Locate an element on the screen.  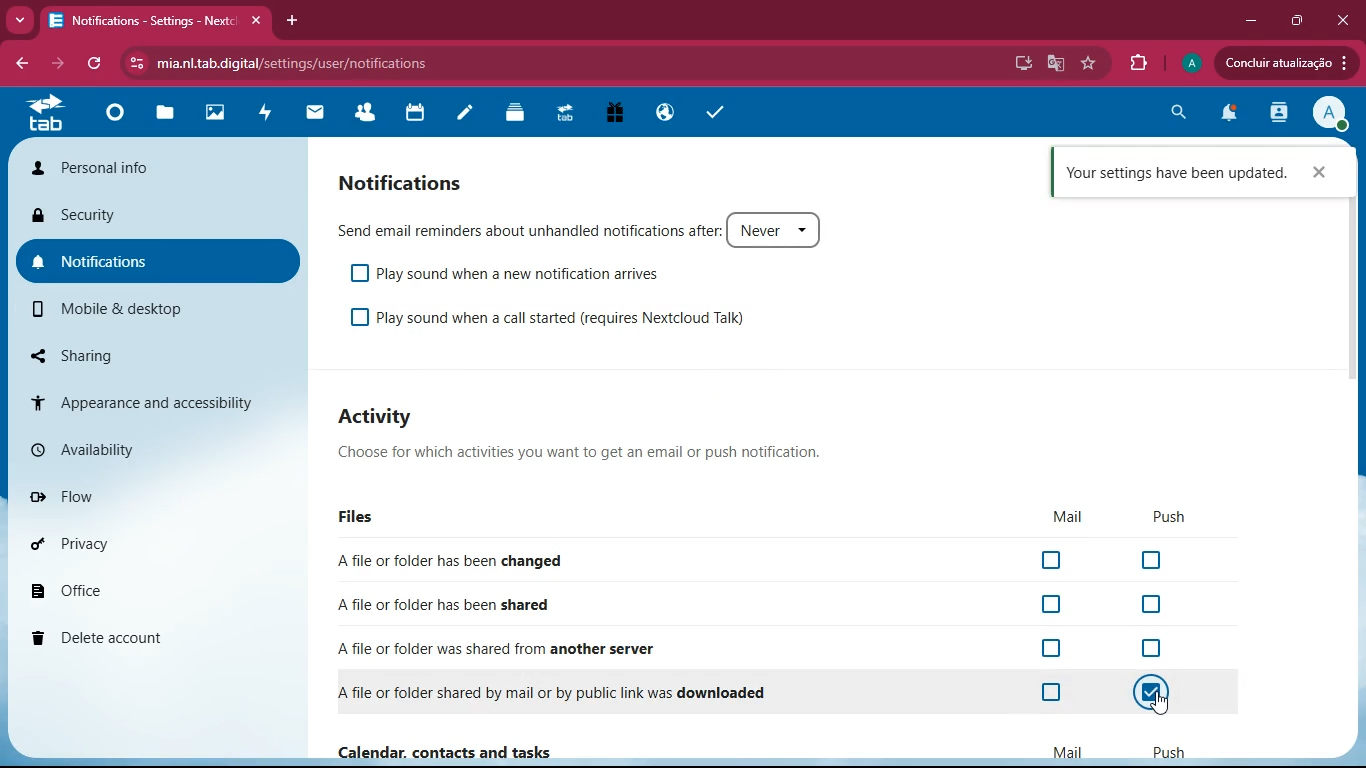
A file or folder was shared from another server is located at coordinates (497, 647).